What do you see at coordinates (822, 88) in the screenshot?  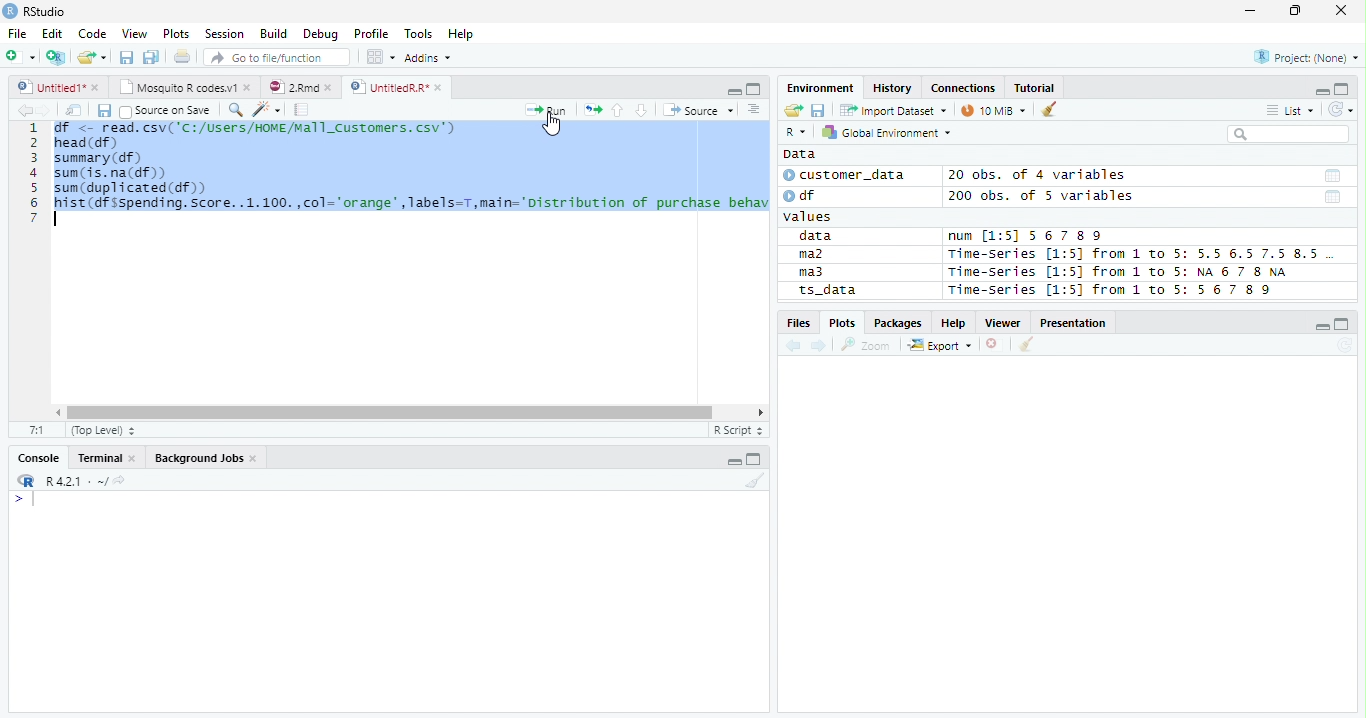 I see `Environment` at bounding box center [822, 88].